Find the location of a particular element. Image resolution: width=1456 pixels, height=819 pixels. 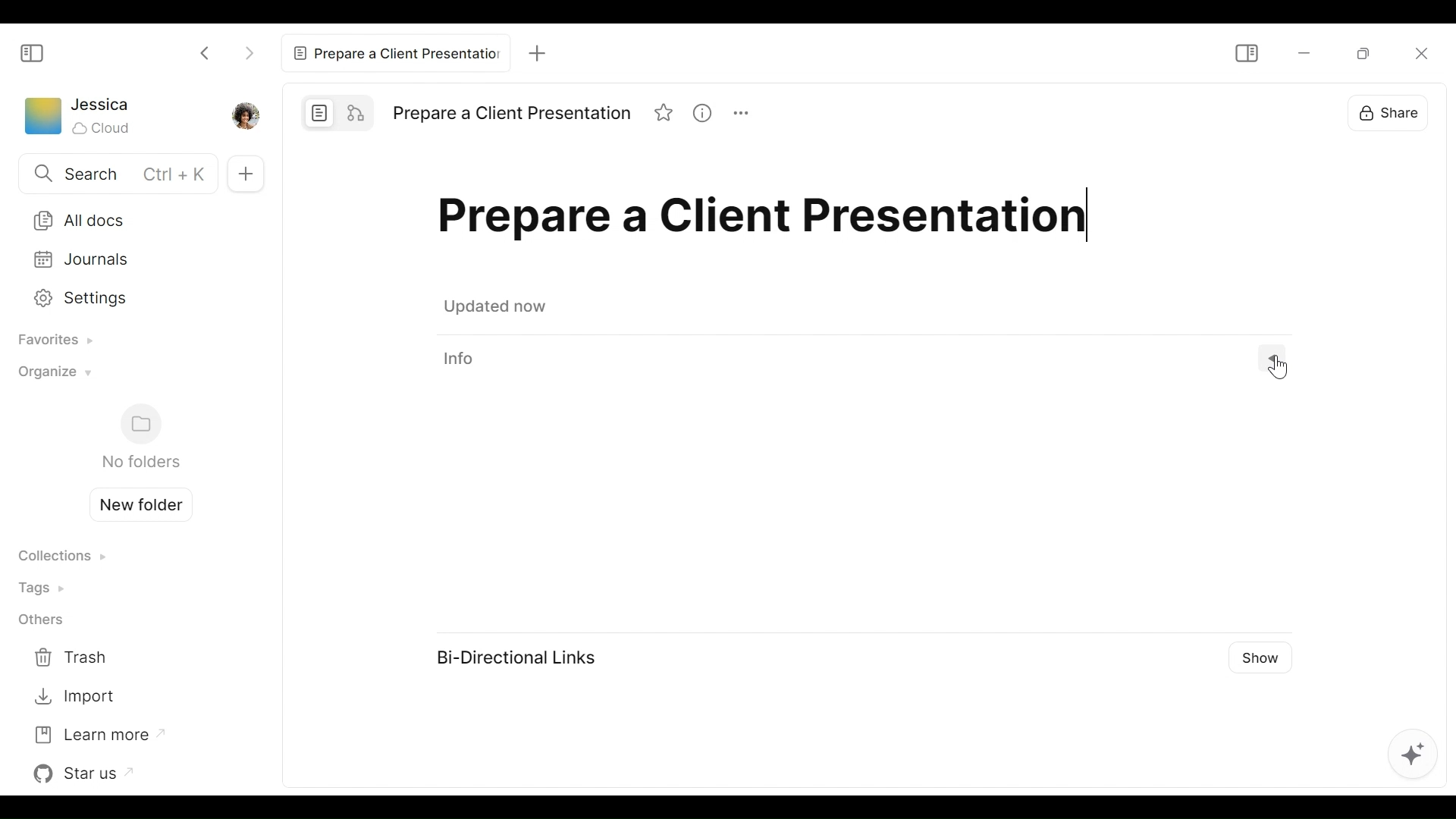

Settings is located at coordinates (124, 302).